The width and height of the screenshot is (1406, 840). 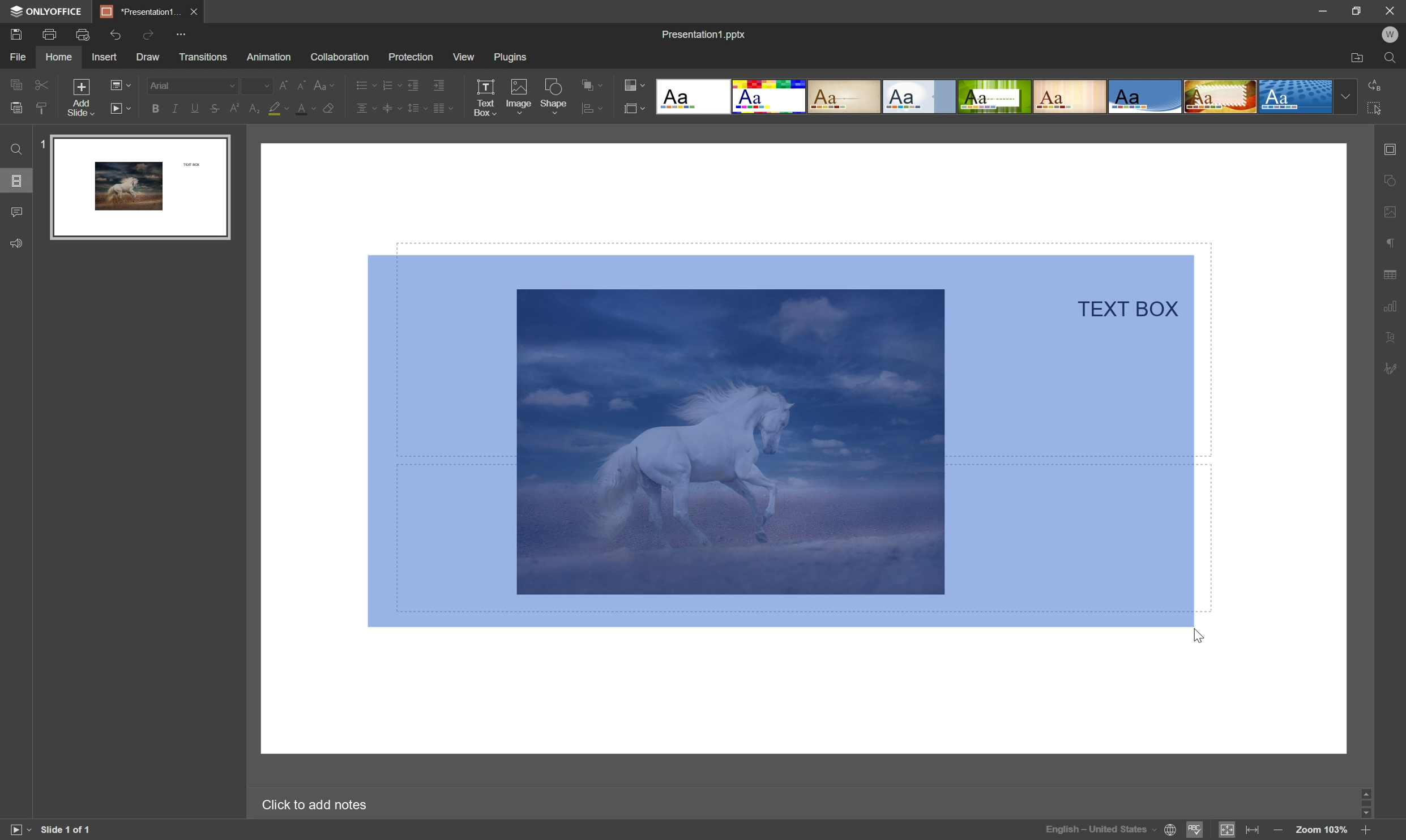 What do you see at coordinates (40, 142) in the screenshot?
I see `1` at bounding box center [40, 142].